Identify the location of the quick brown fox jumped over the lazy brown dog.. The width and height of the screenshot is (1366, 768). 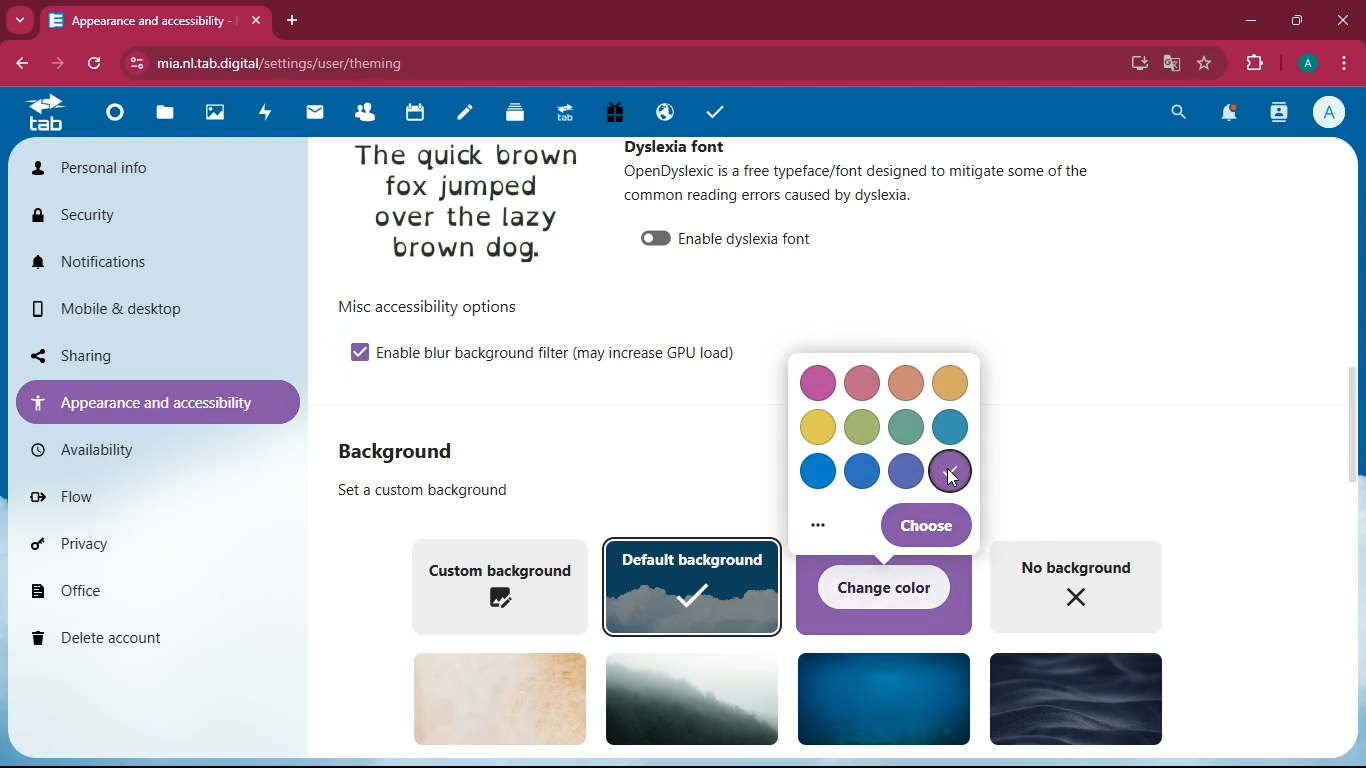
(467, 207).